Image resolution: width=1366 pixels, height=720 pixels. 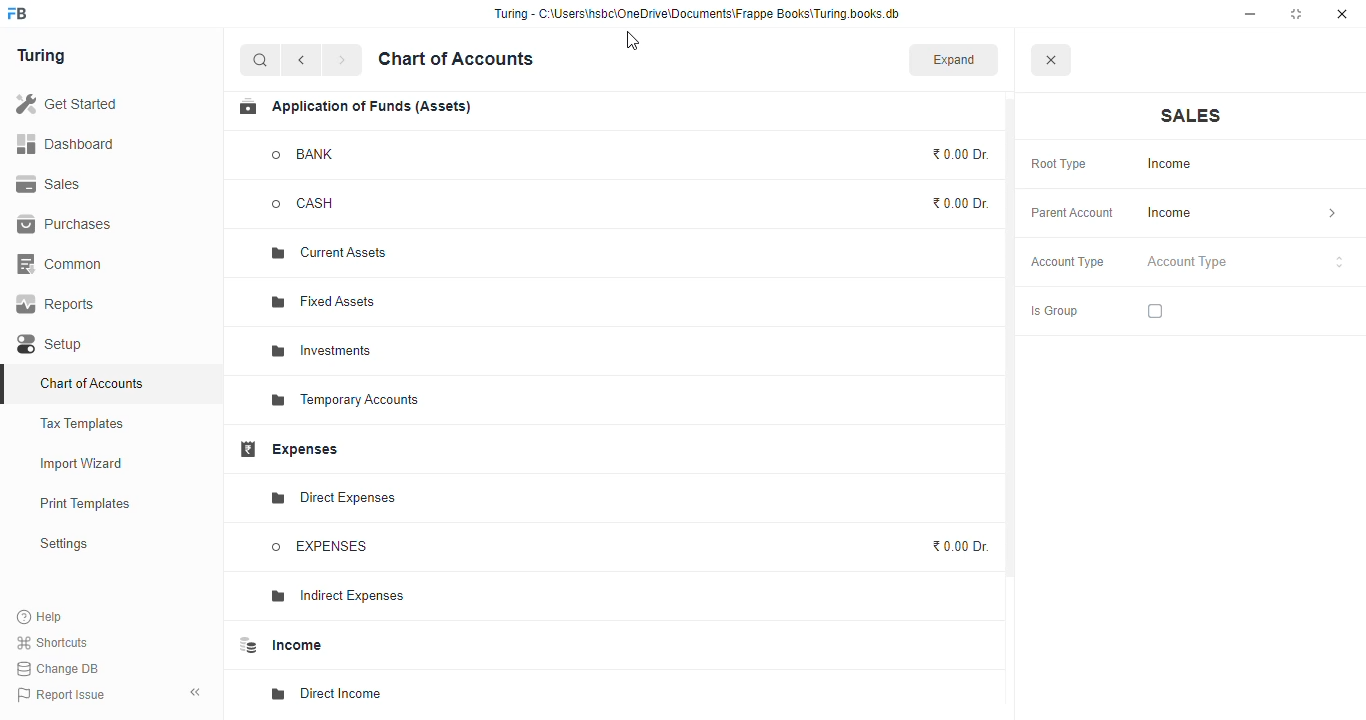 I want to click on chart of accounts, so click(x=456, y=59).